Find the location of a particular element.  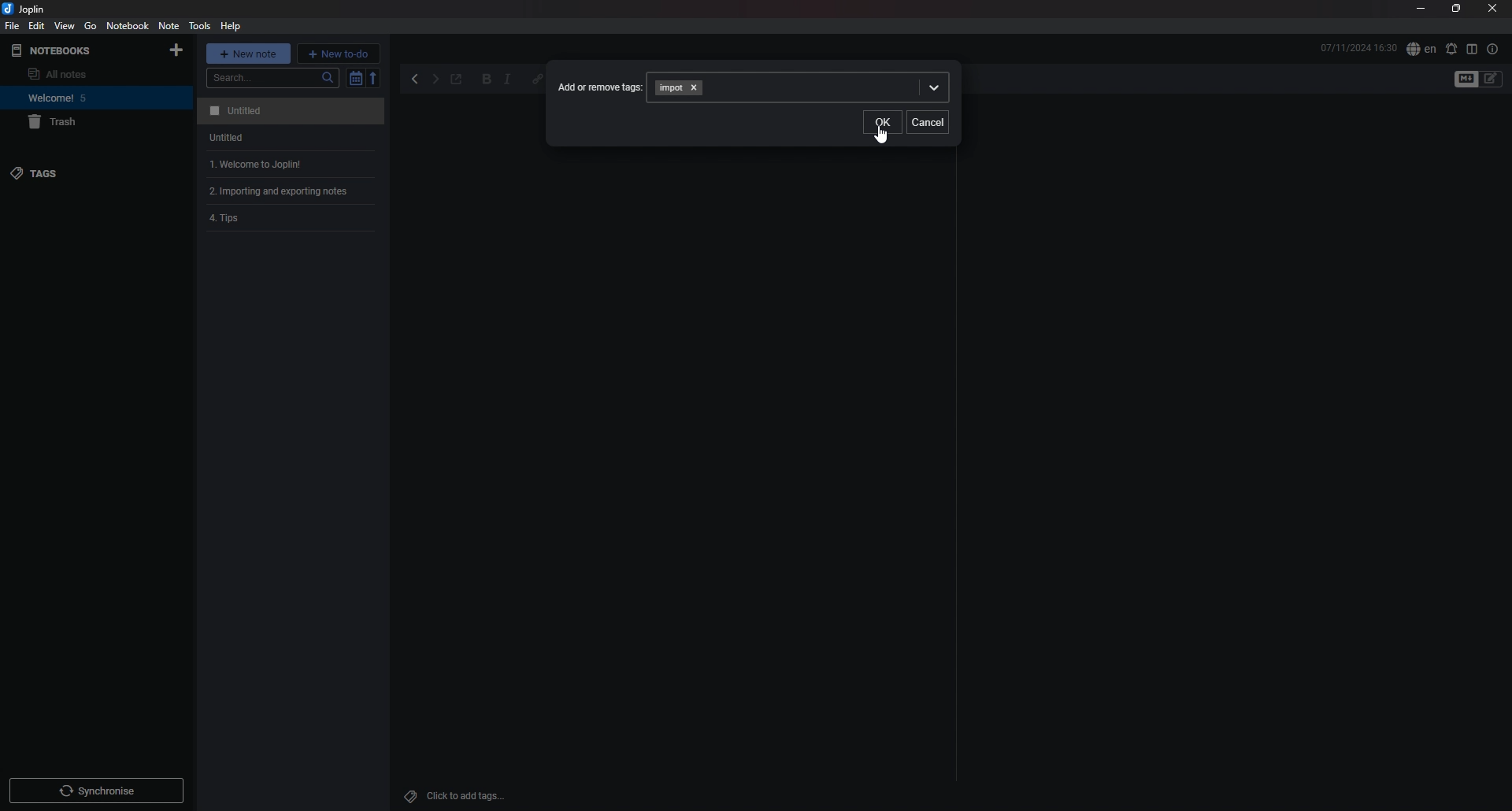

input is located at coordinates (675, 87).